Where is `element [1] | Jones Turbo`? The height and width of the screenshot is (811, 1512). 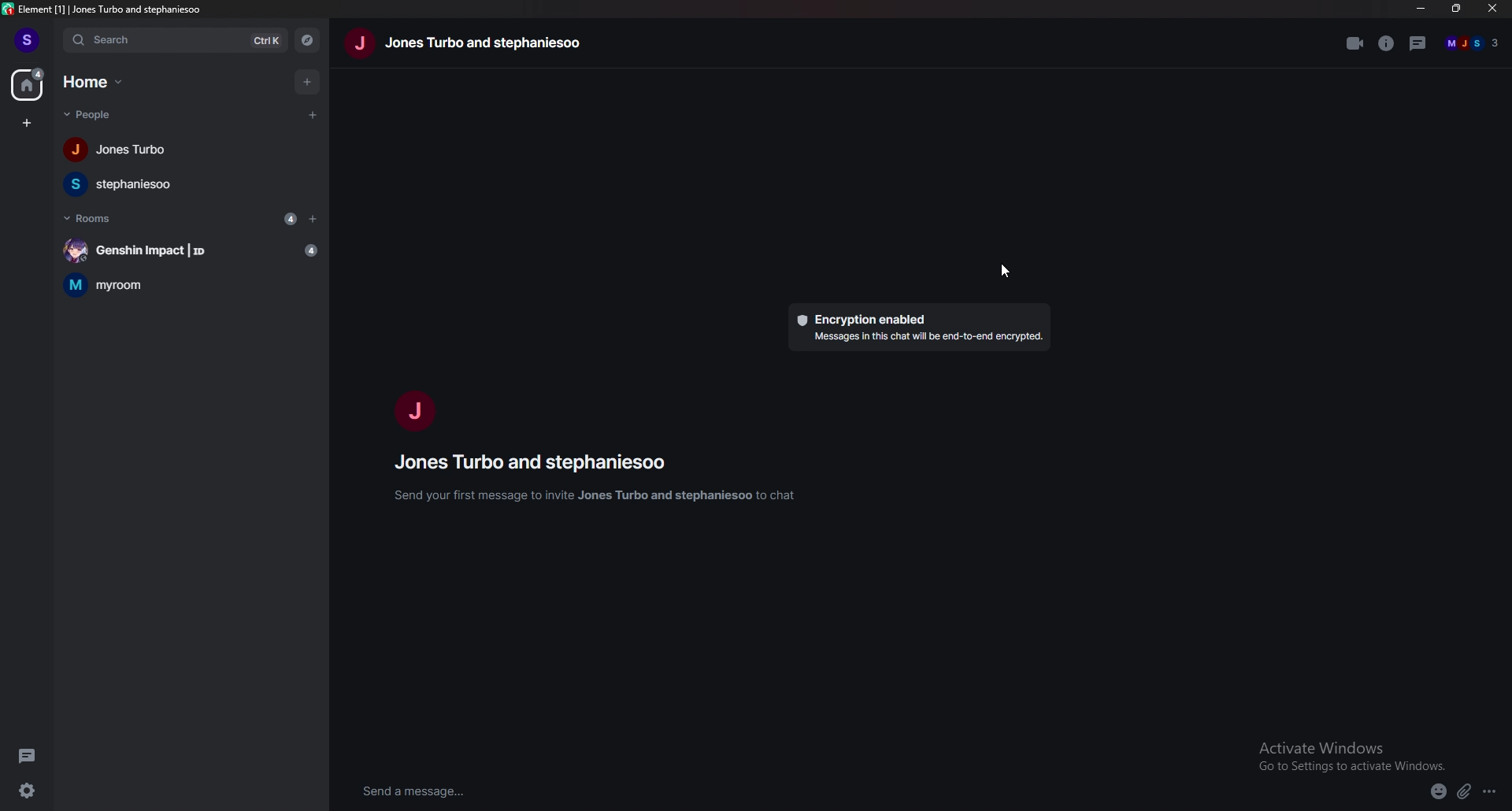 element [1] | Jones Turbo is located at coordinates (65, 9).